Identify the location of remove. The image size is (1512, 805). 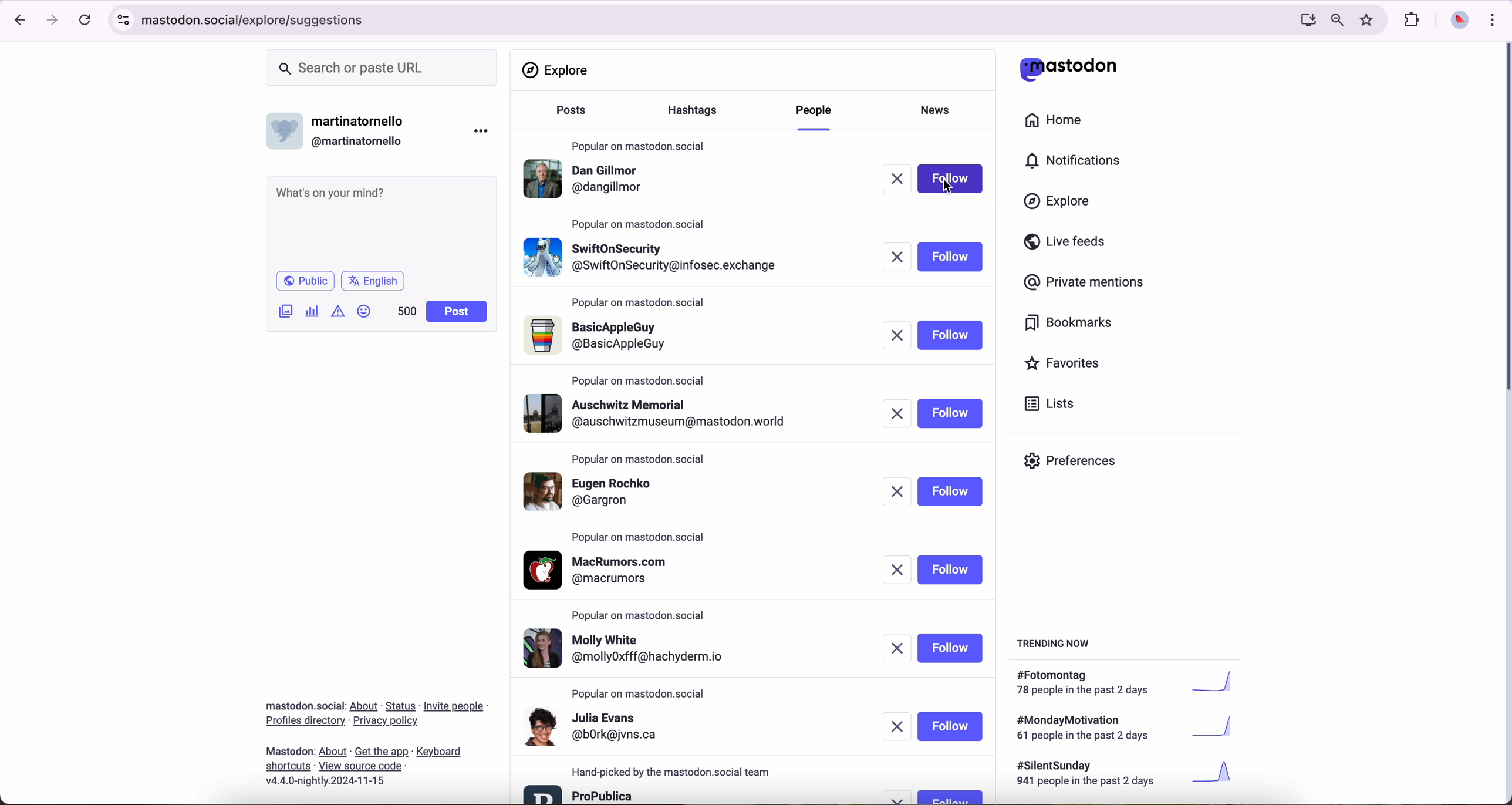
(899, 726).